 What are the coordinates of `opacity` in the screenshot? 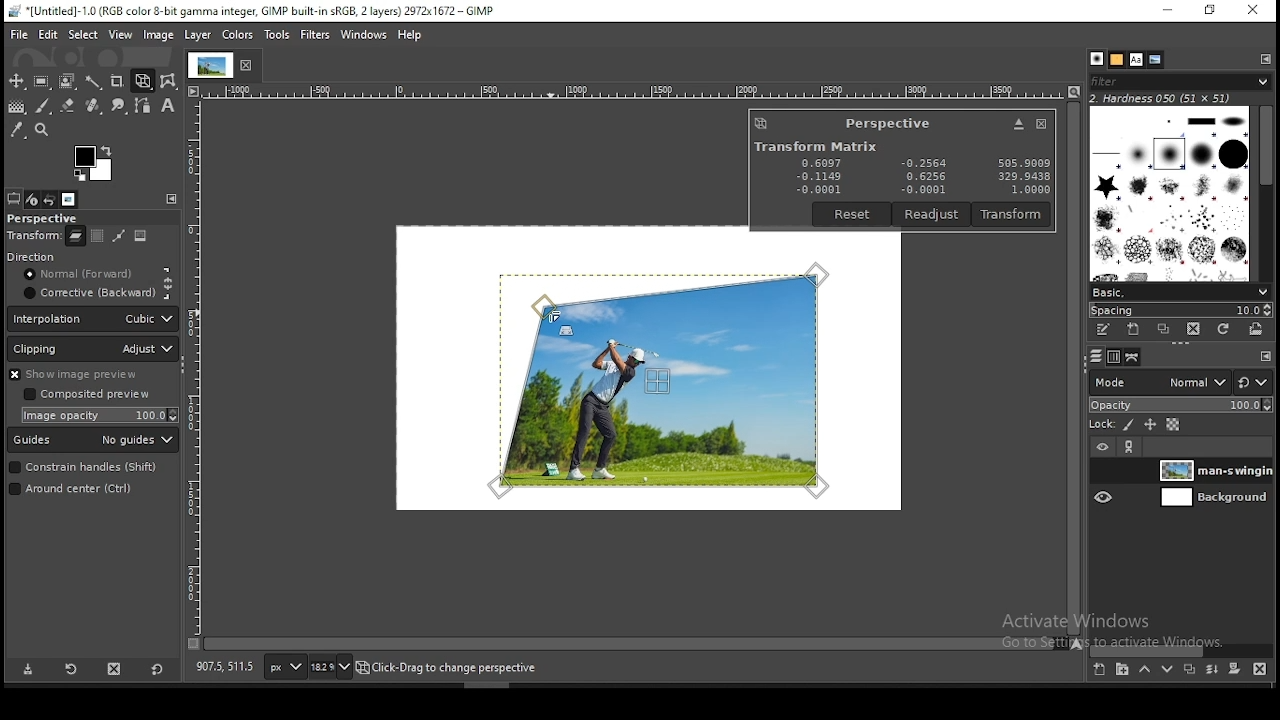 It's located at (1181, 406).